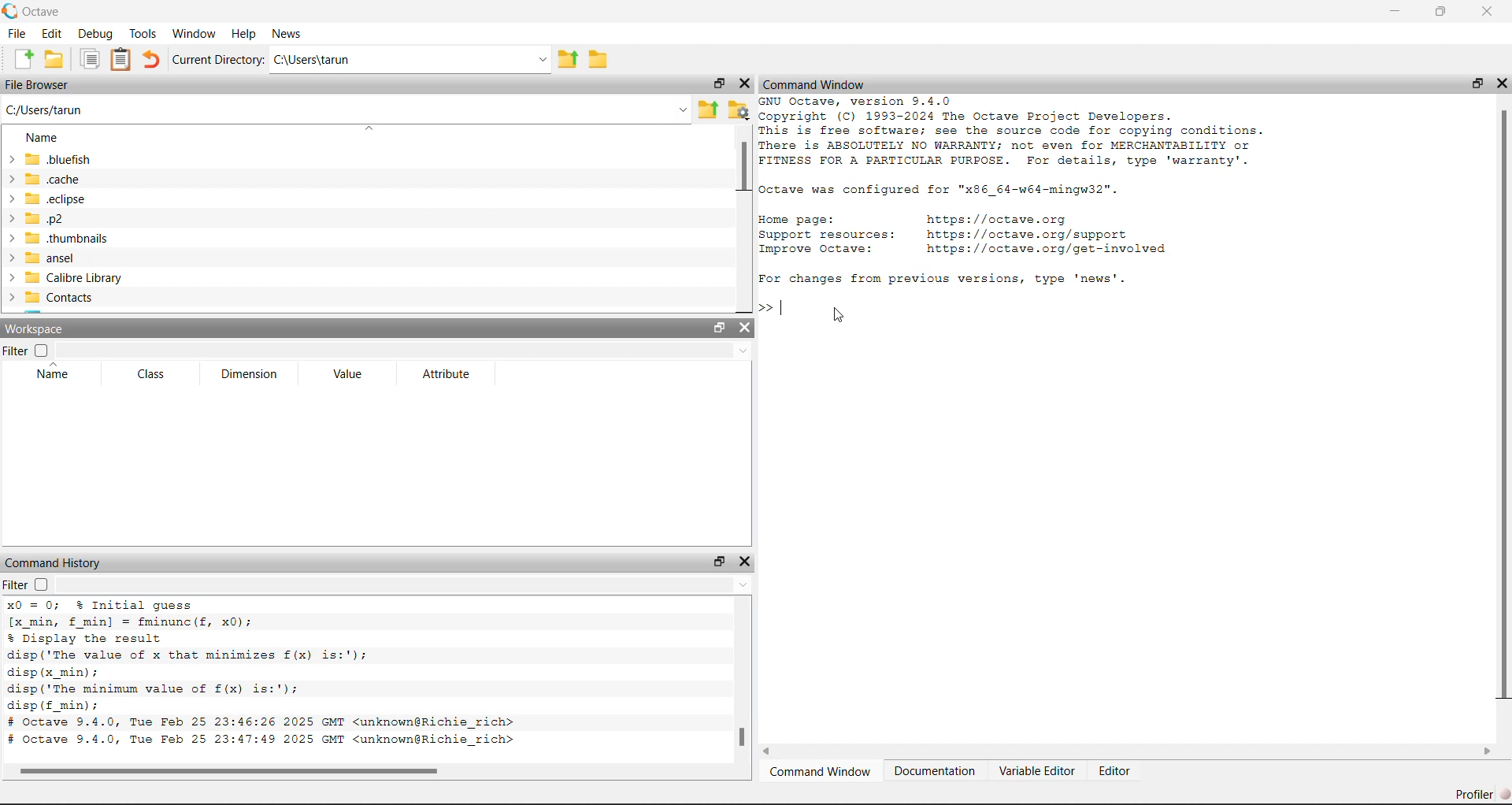 This screenshot has width=1512, height=805. Describe the element at coordinates (745, 587) in the screenshot. I see `Up` at that location.